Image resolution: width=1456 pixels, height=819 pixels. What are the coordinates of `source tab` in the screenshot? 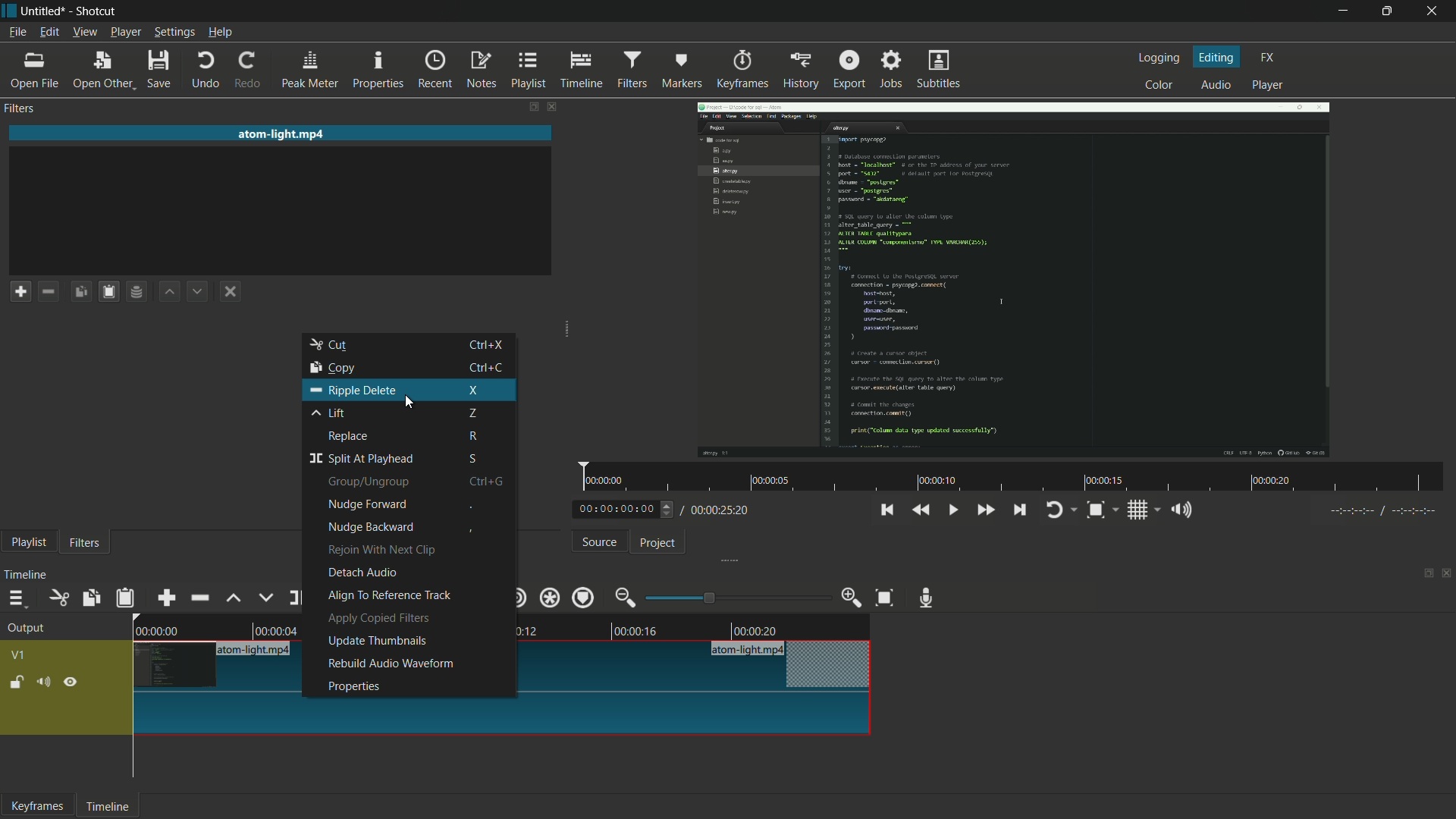 It's located at (600, 542).